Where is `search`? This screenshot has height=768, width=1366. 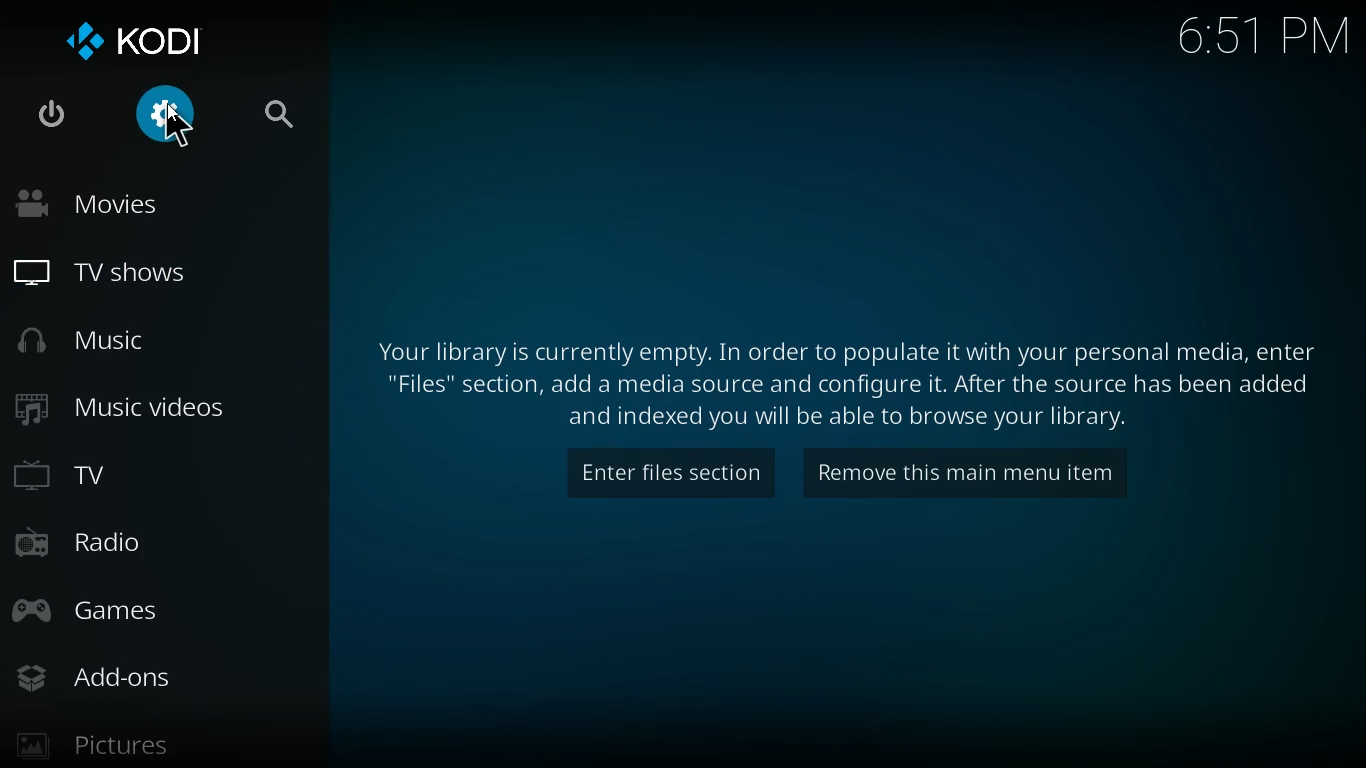
search is located at coordinates (278, 120).